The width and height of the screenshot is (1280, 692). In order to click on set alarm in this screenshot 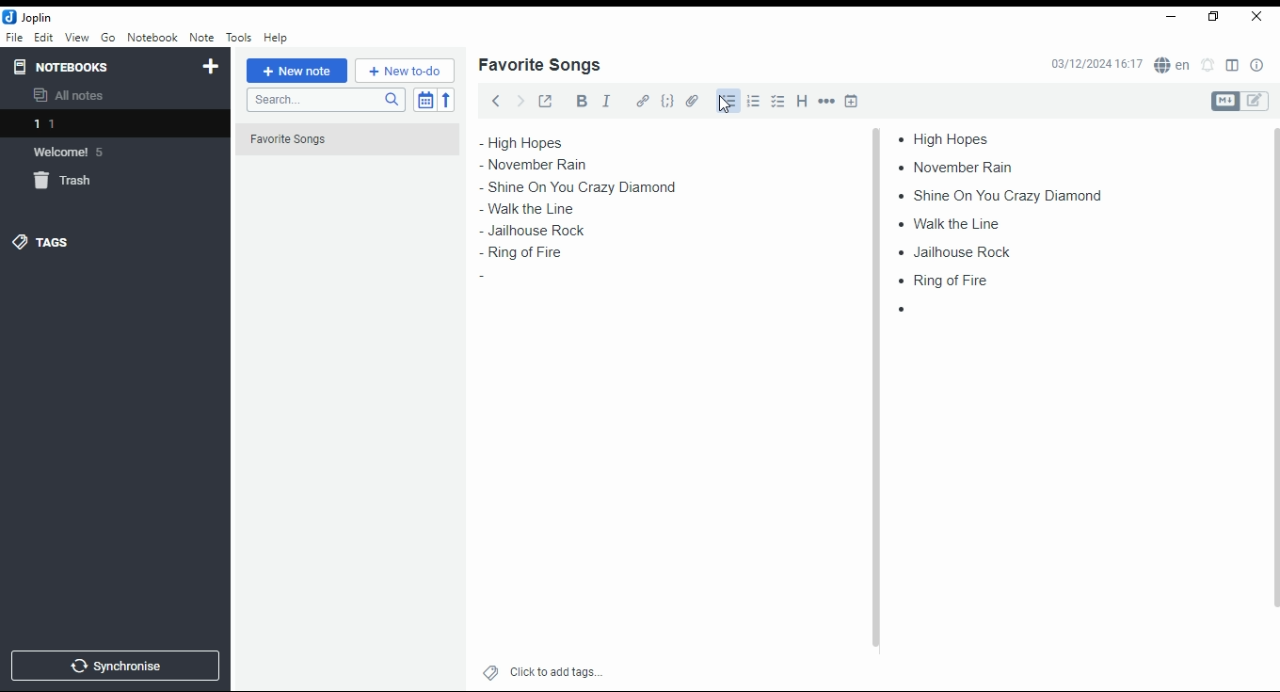, I will do `click(1209, 65)`.